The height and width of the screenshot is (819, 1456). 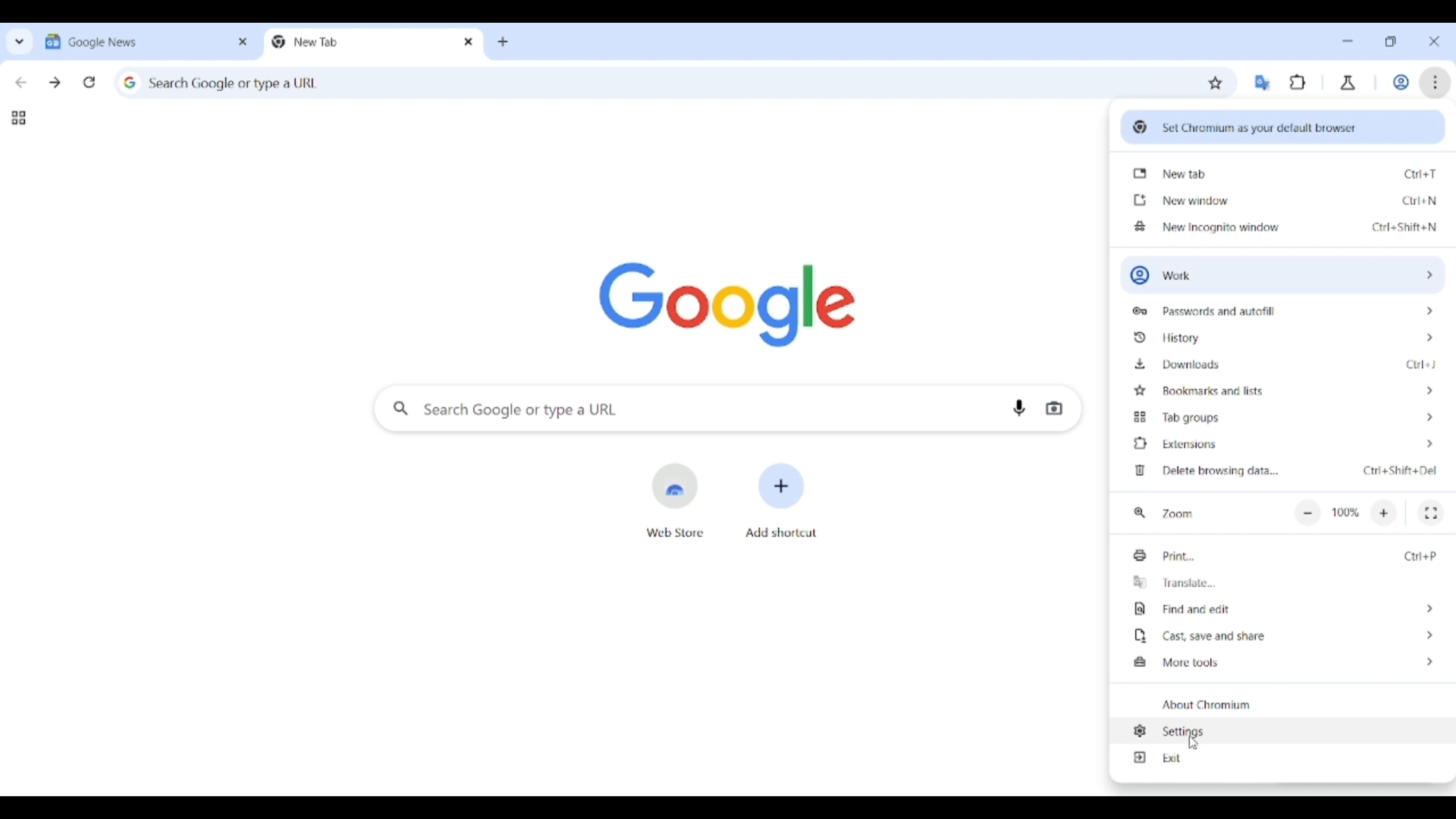 What do you see at coordinates (1390, 42) in the screenshot?
I see `Show interface in a smaller tab` at bounding box center [1390, 42].